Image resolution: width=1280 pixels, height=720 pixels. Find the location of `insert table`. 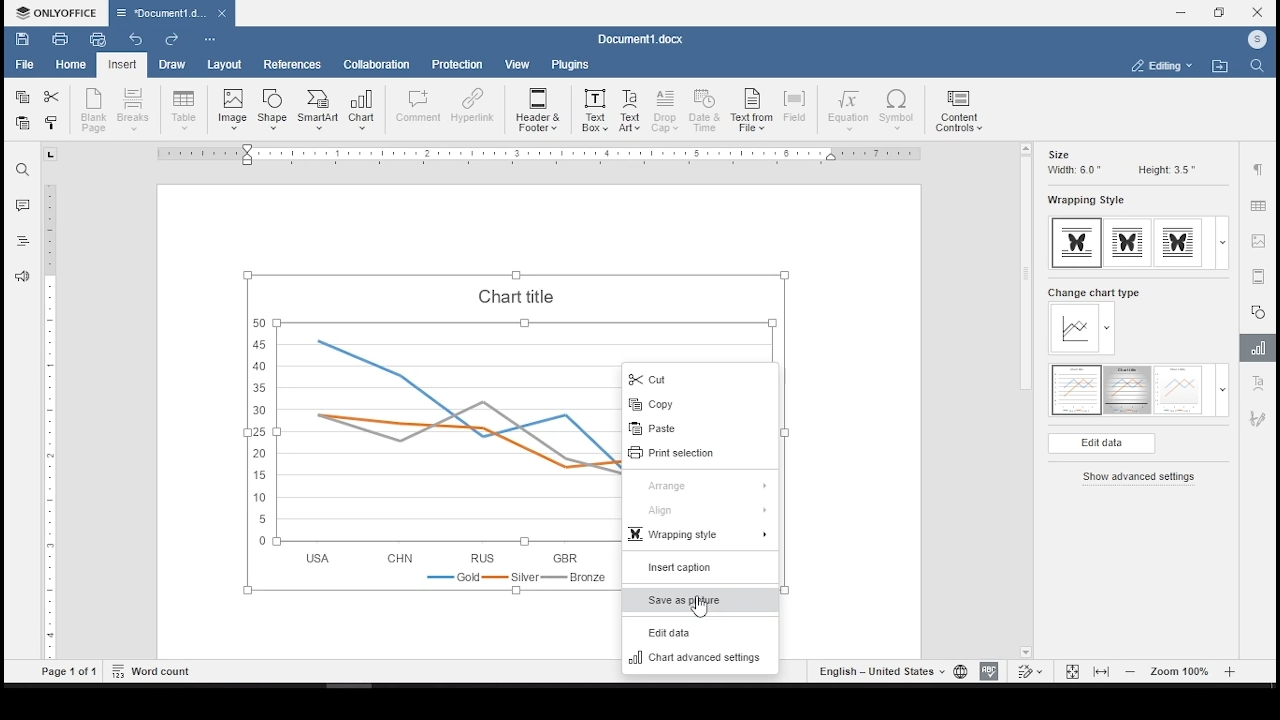

insert table is located at coordinates (184, 111).